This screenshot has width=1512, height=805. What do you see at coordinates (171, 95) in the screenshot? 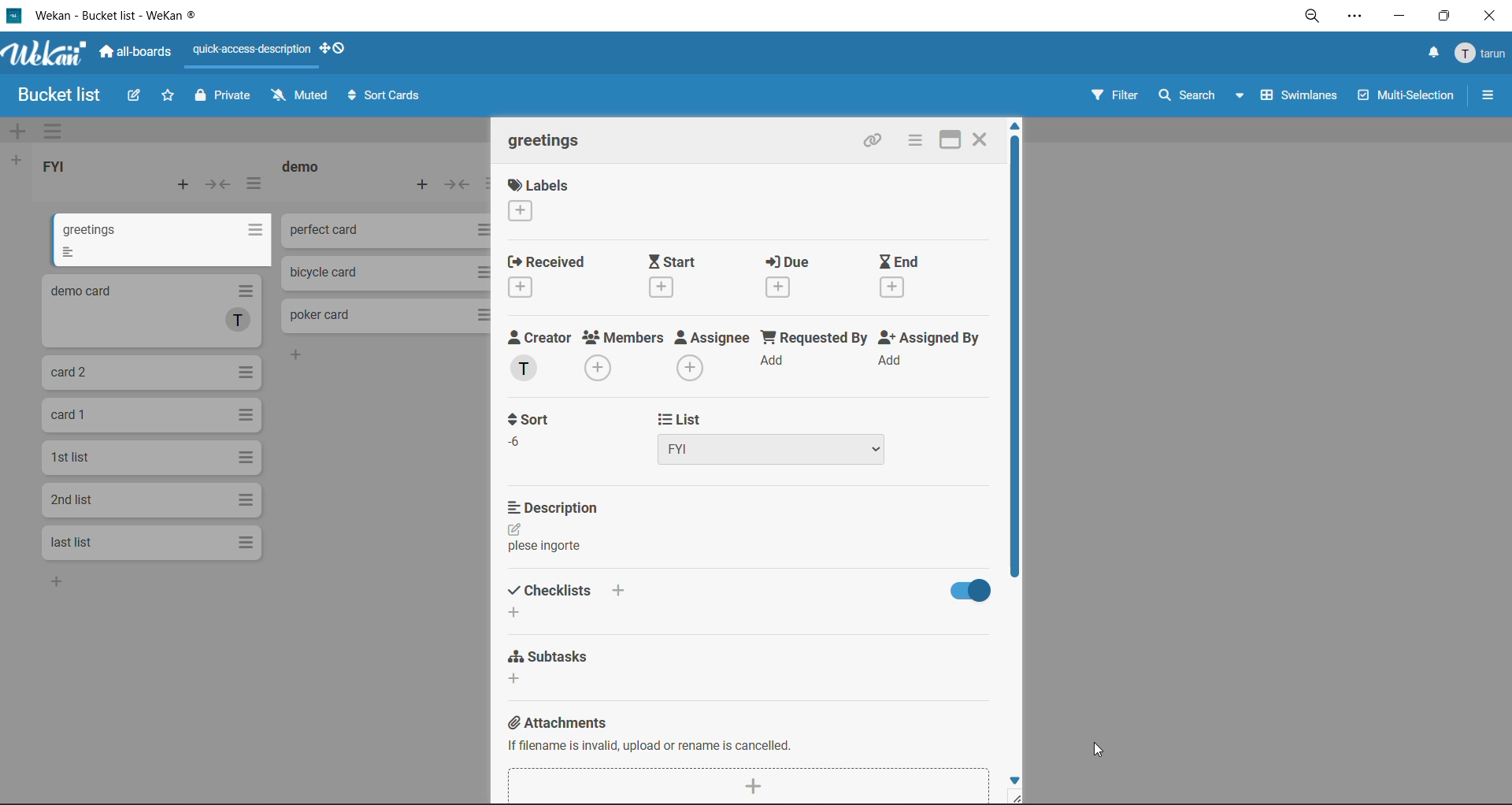
I see `star` at bounding box center [171, 95].